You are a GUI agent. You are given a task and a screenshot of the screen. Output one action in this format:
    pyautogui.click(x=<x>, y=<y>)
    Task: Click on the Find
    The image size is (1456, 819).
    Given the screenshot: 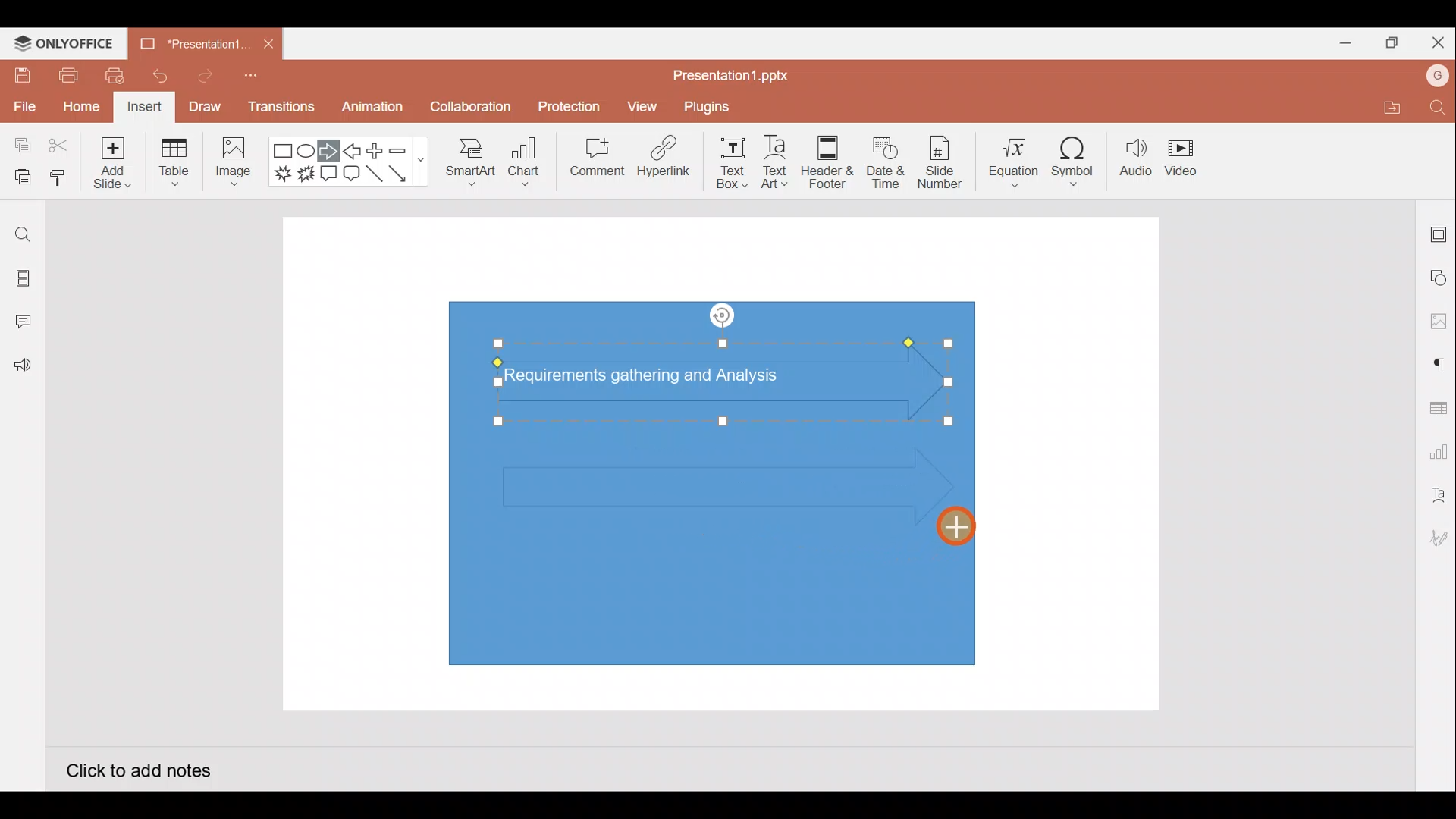 What is the action you would take?
    pyautogui.click(x=1439, y=107)
    